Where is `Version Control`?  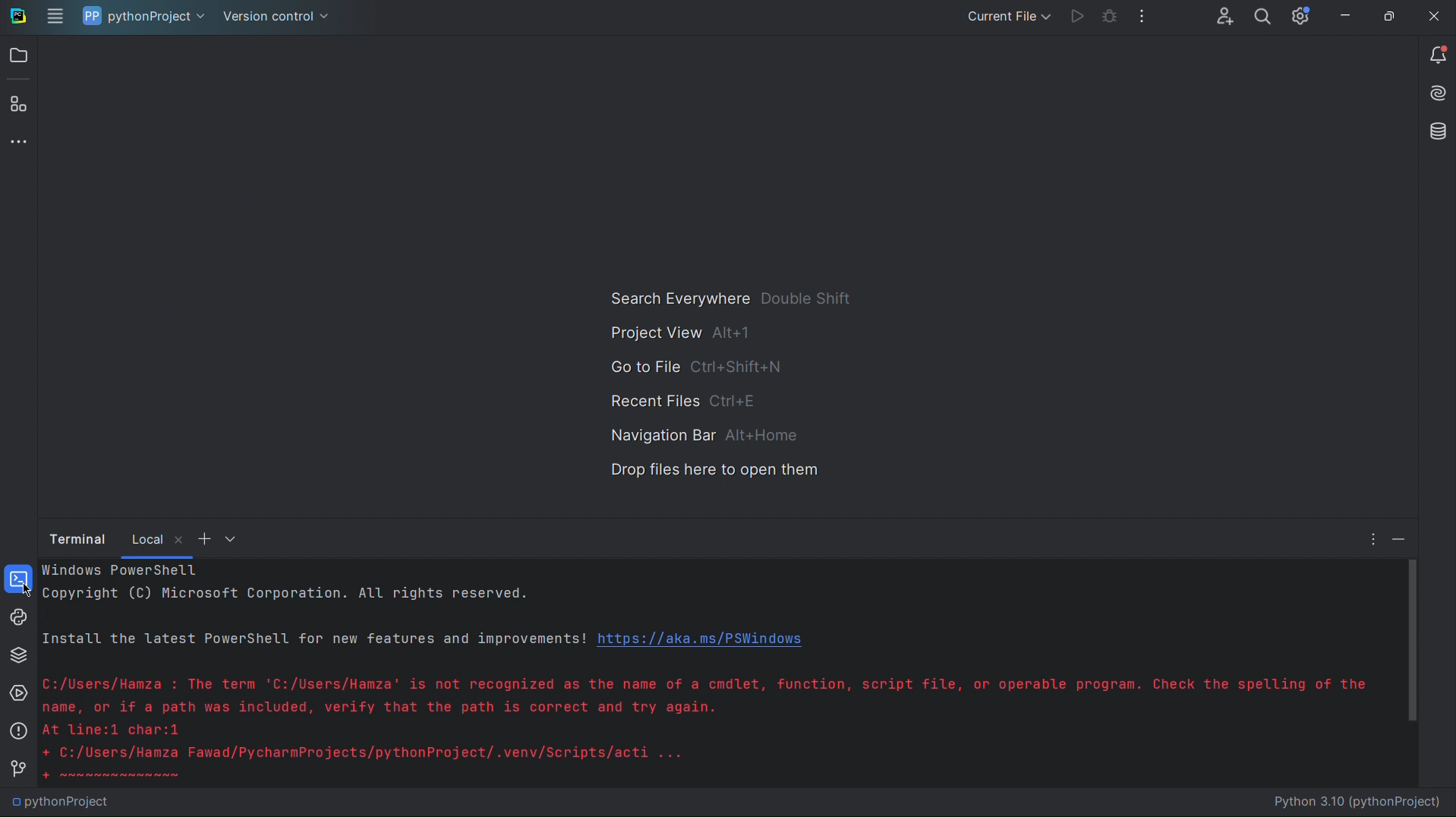 Version Control is located at coordinates (277, 14).